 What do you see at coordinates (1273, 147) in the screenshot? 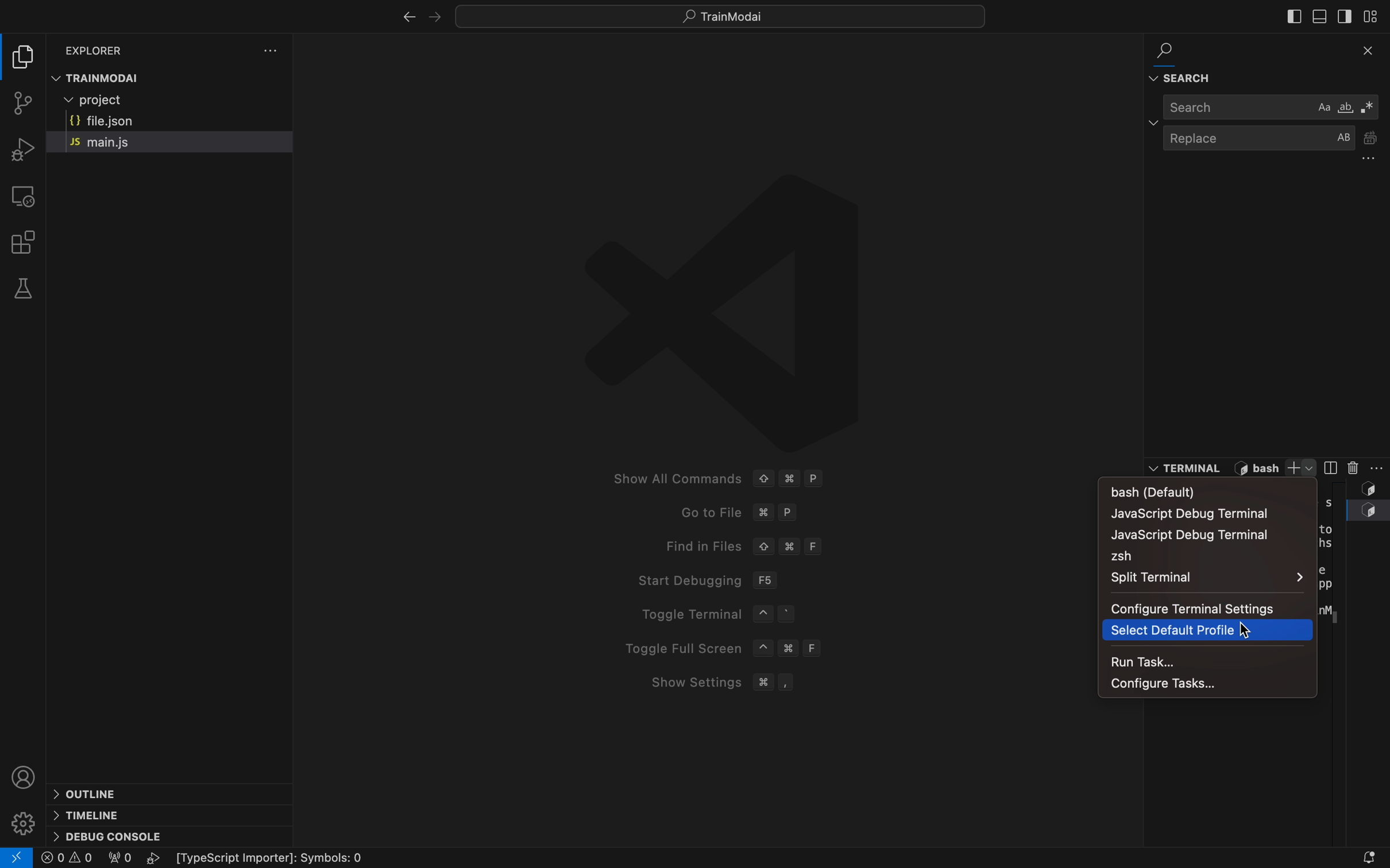
I see `replace` at bounding box center [1273, 147].